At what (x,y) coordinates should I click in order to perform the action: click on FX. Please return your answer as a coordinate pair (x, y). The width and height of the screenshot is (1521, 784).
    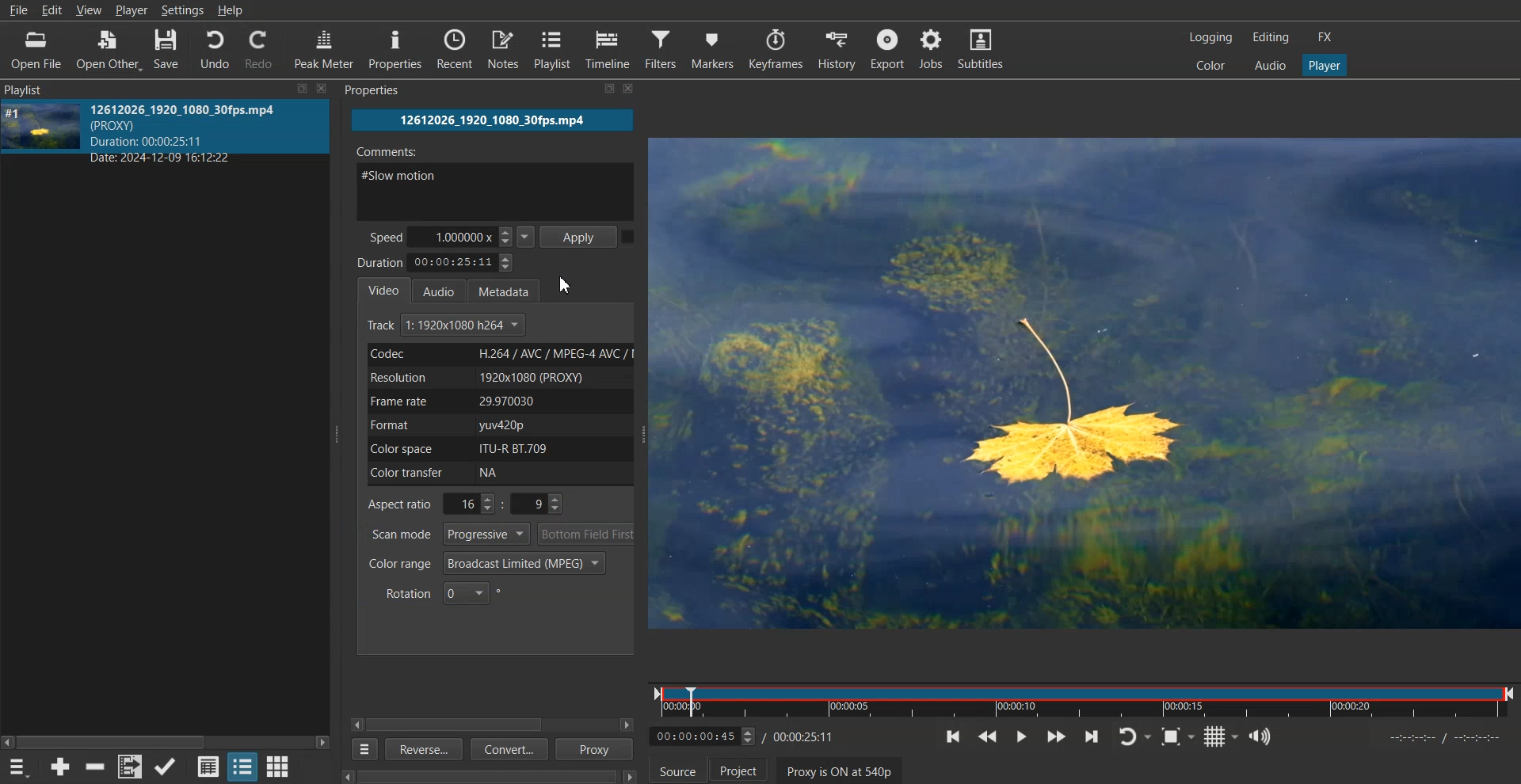
    Looking at the image, I should click on (1327, 38).